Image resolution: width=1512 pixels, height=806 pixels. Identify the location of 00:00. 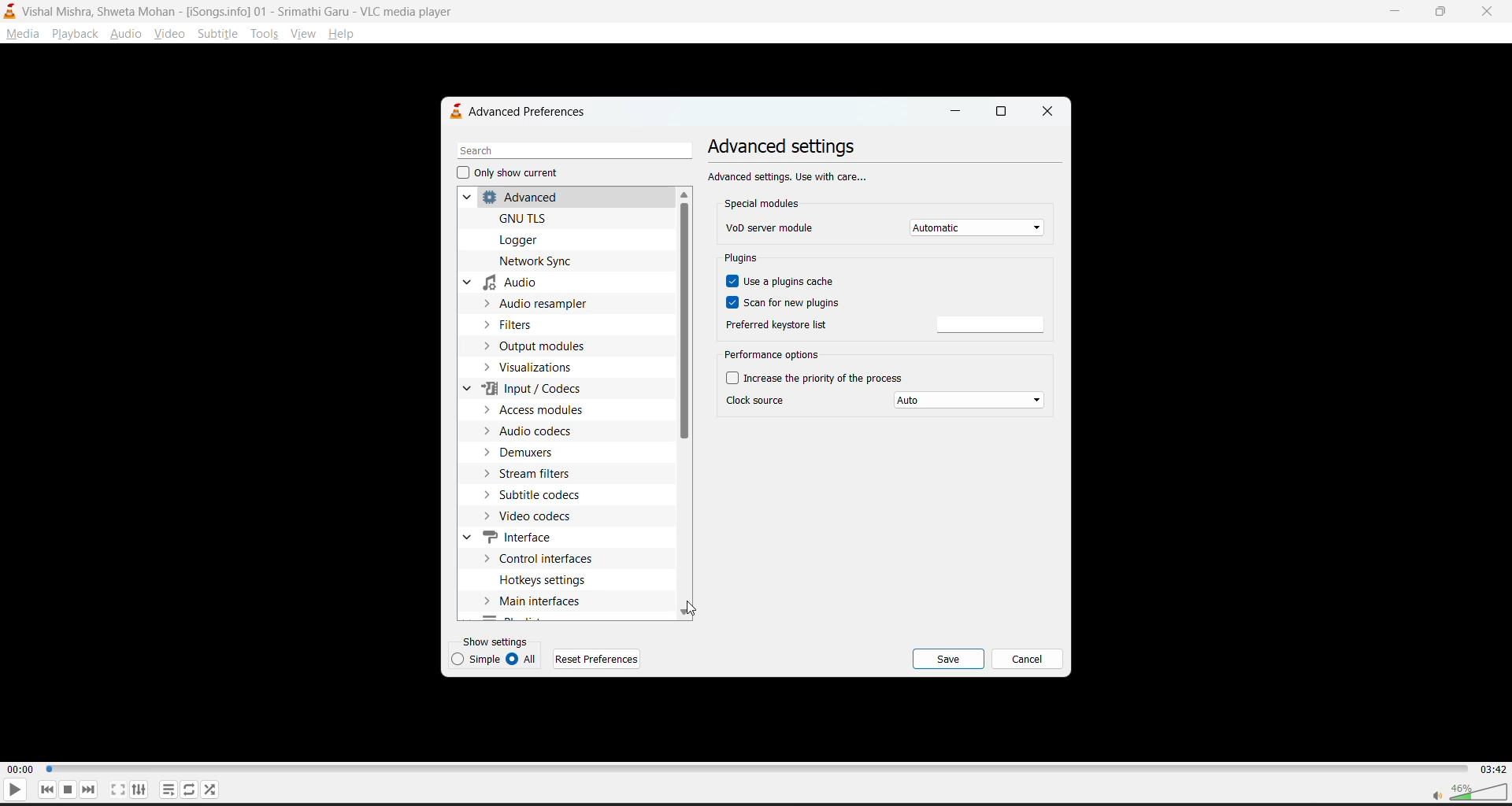
(19, 768).